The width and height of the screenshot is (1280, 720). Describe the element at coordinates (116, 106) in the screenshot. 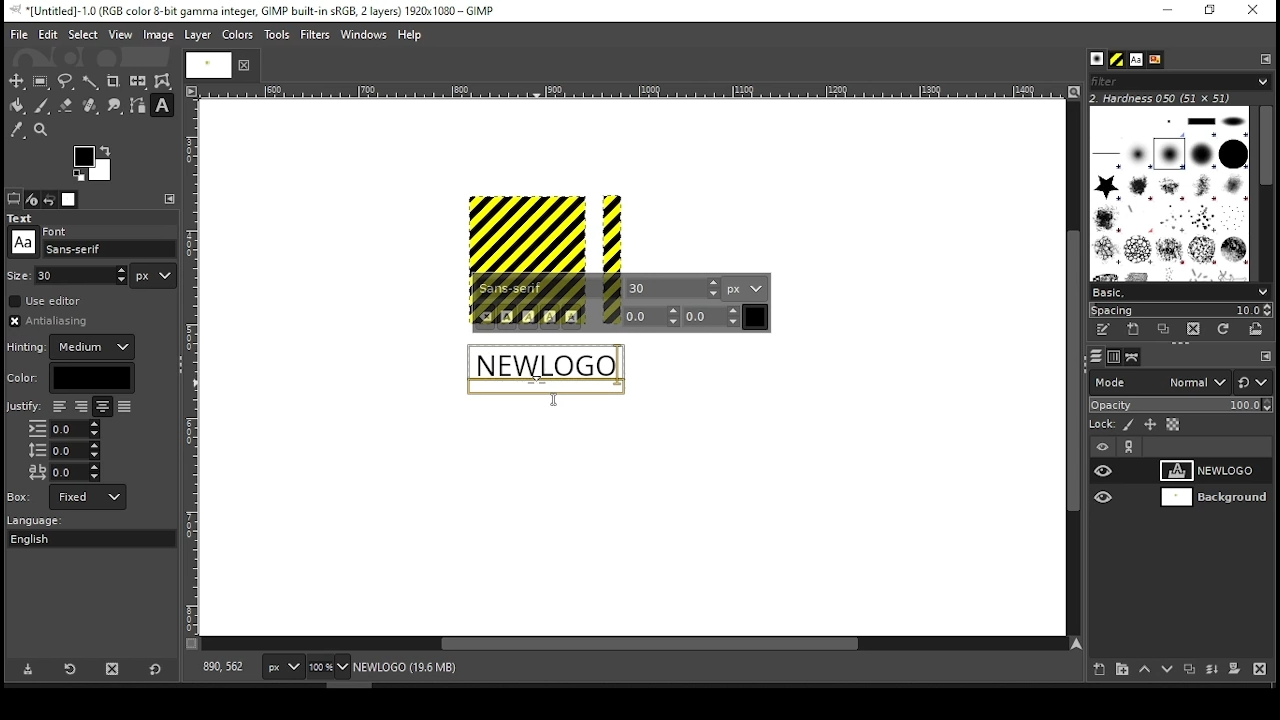

I see `smudge tool` at that location.